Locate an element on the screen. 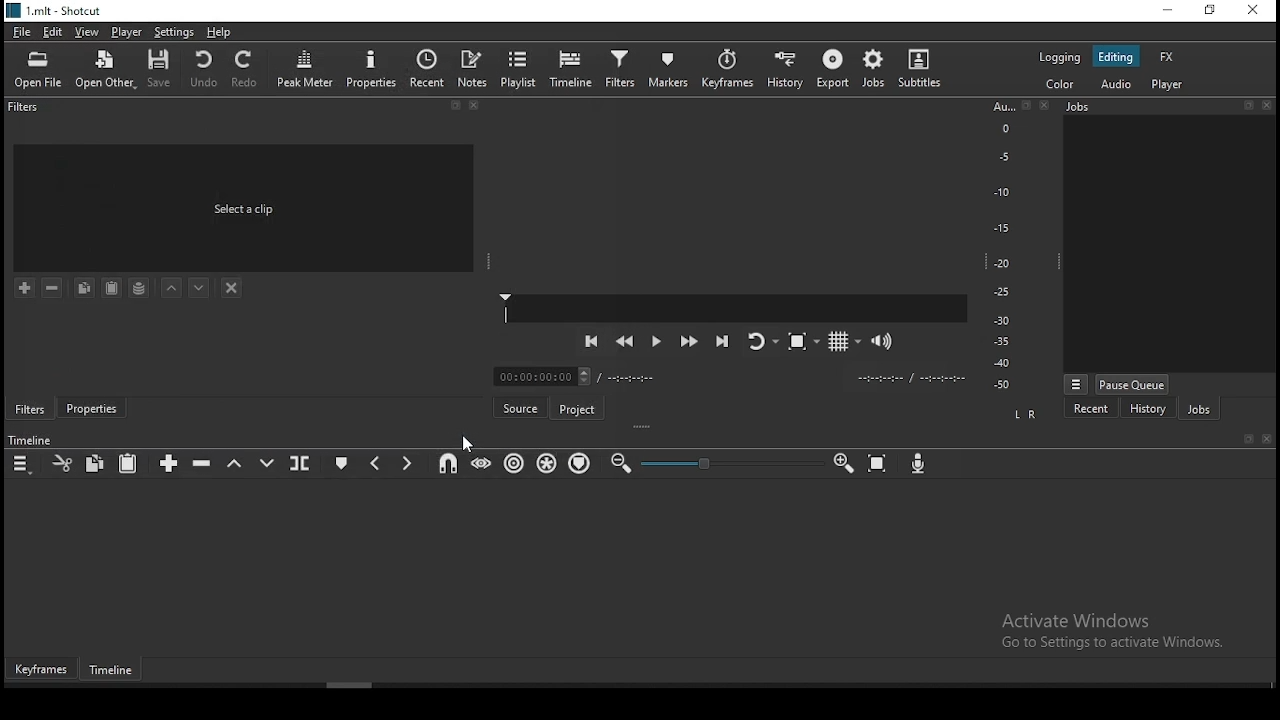 The image size is (1280, 720). project is located at coordinates (579, 406).